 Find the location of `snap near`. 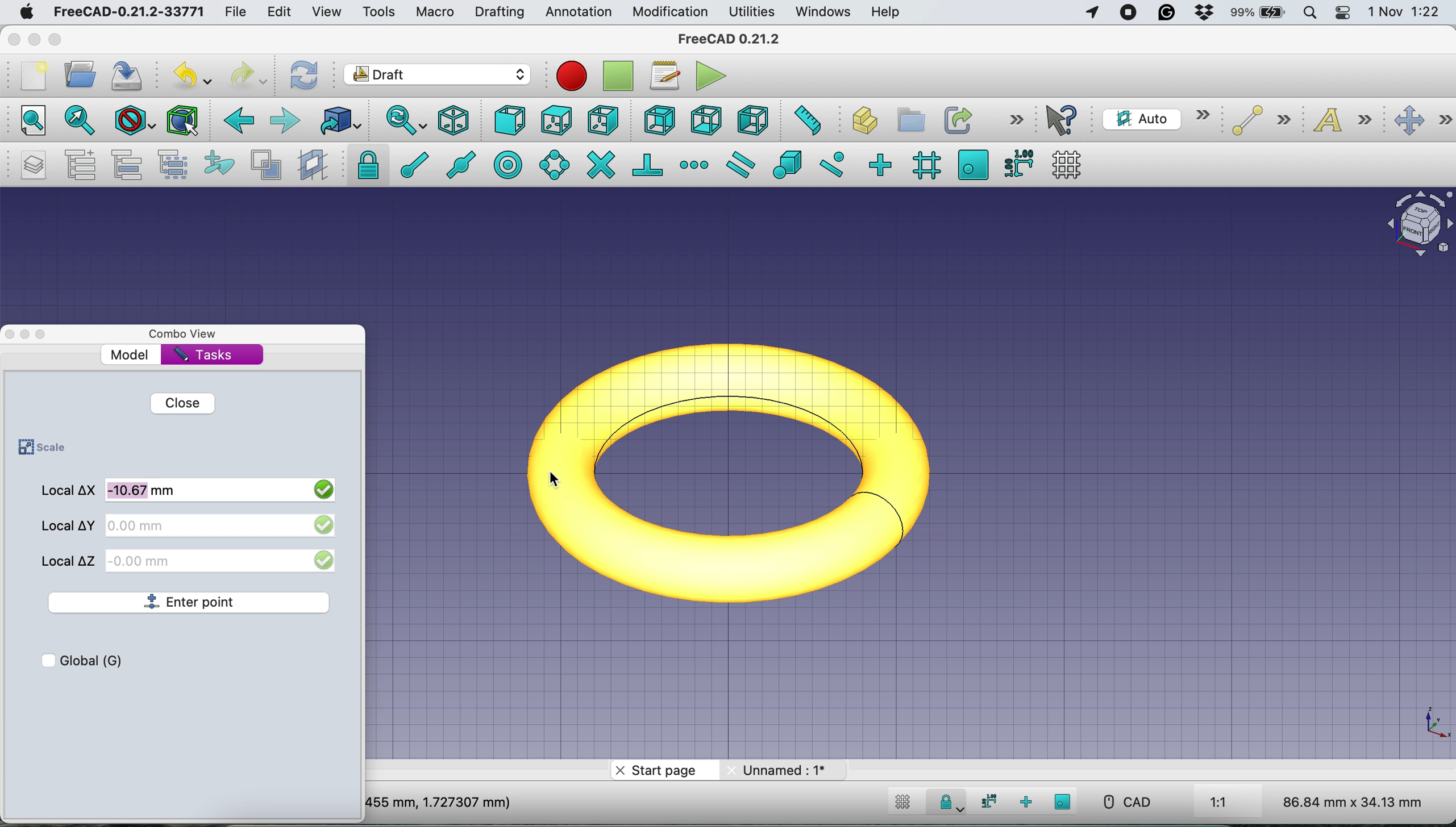

snap near is located at coordinates (833, 164).